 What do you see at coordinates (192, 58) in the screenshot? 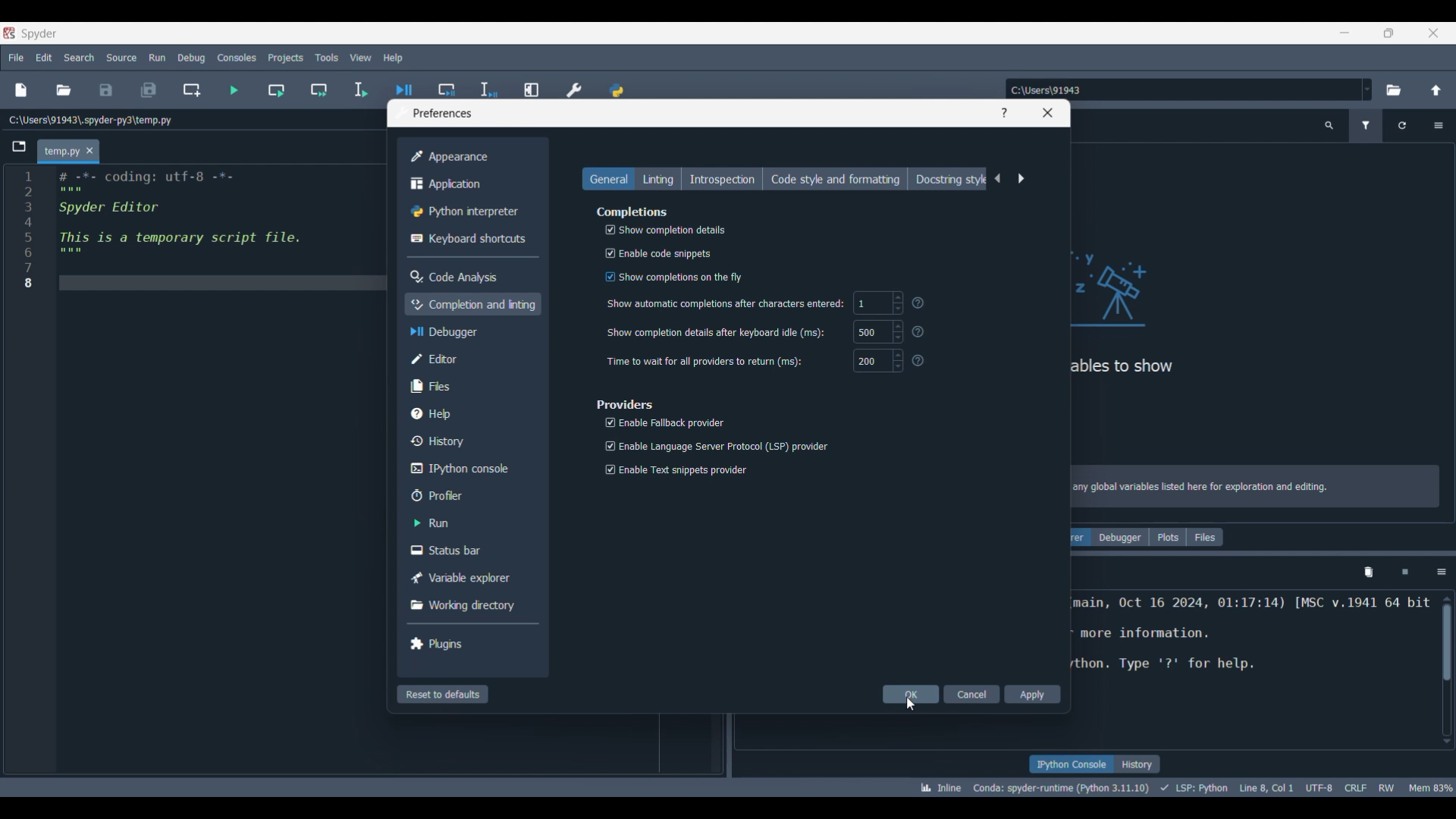
I see `Debug menu` at bounding box center [192, 58].